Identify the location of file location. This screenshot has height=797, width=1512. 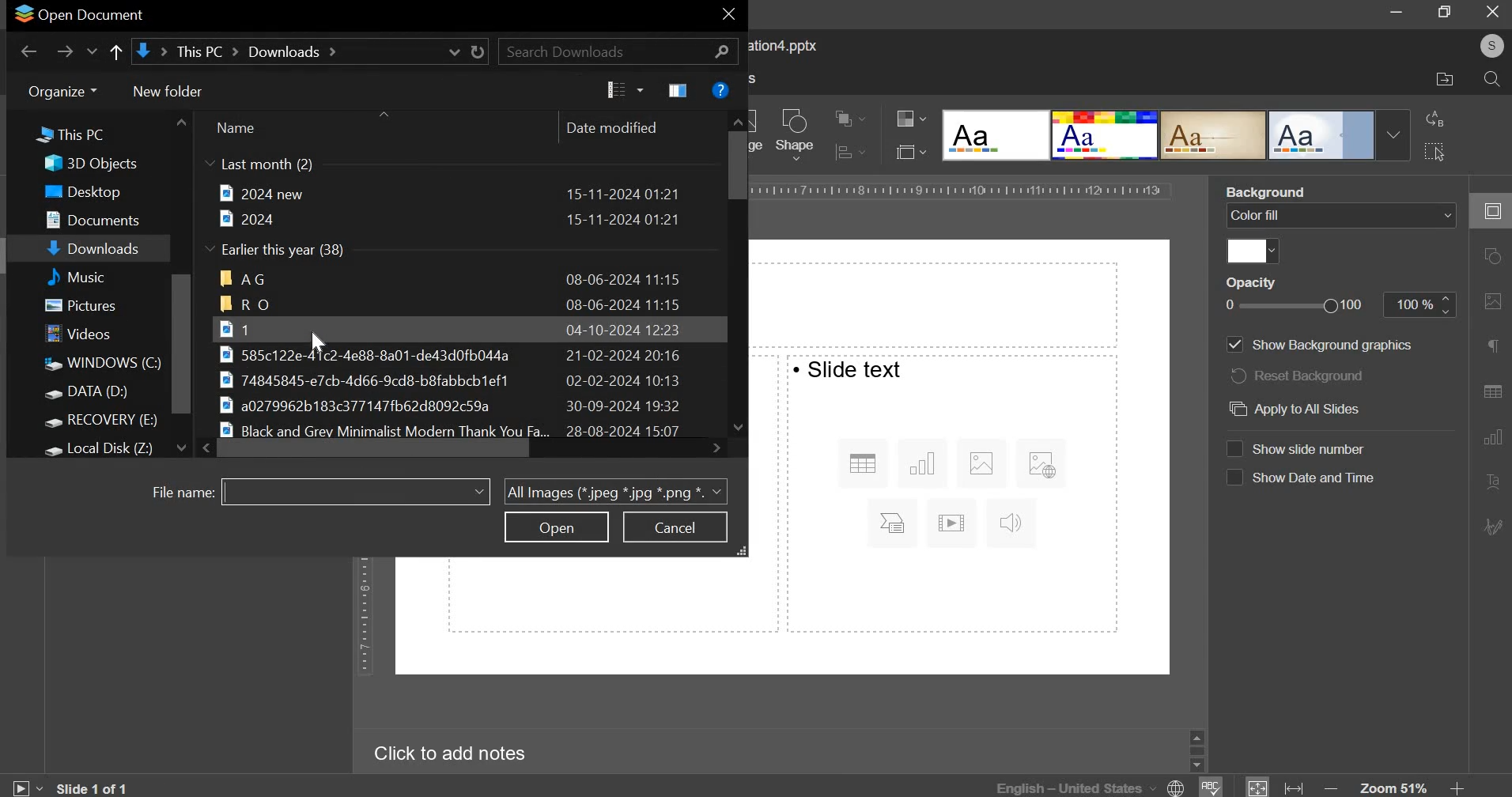
(1445, 80).